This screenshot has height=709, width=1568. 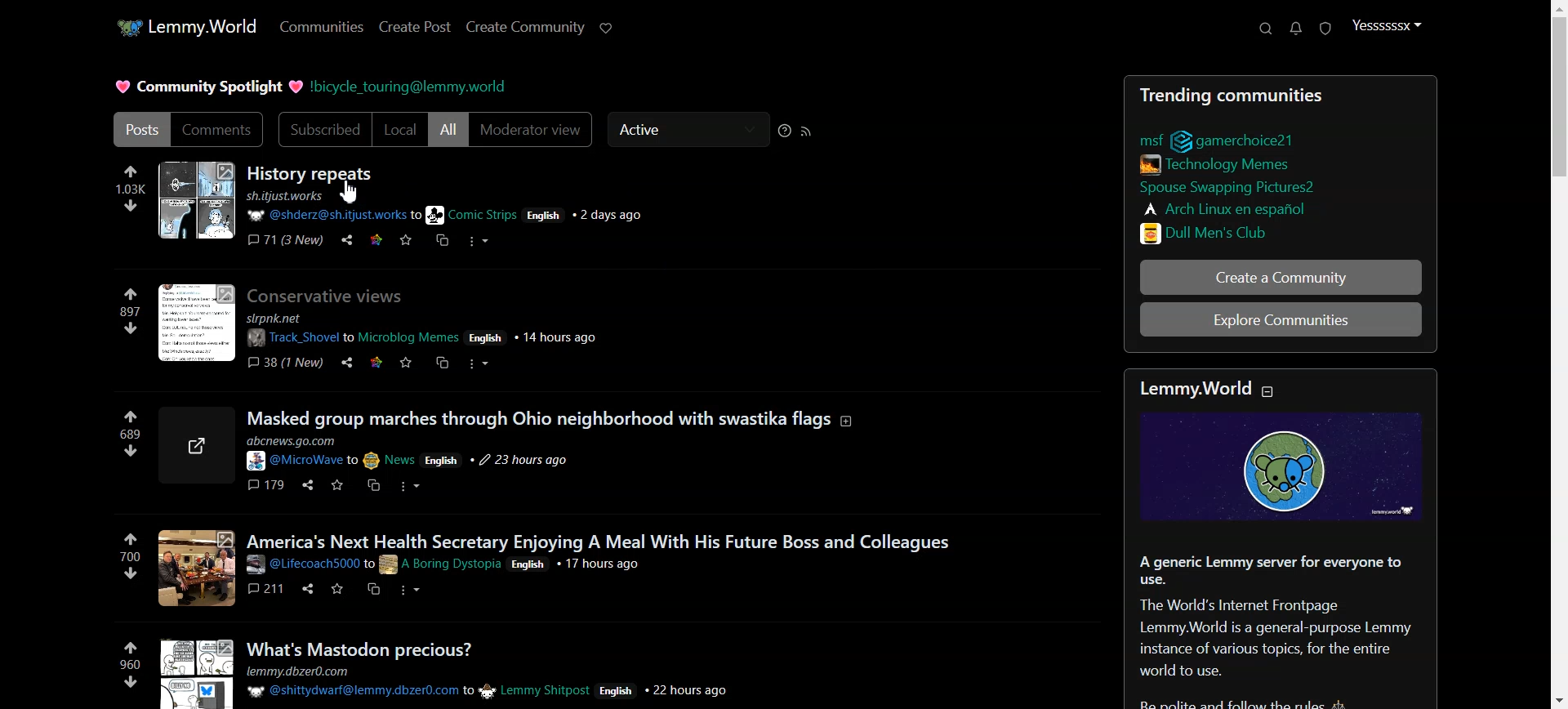 I want to click on to Lemmy Shitpost English, so click(x=548, y=691).